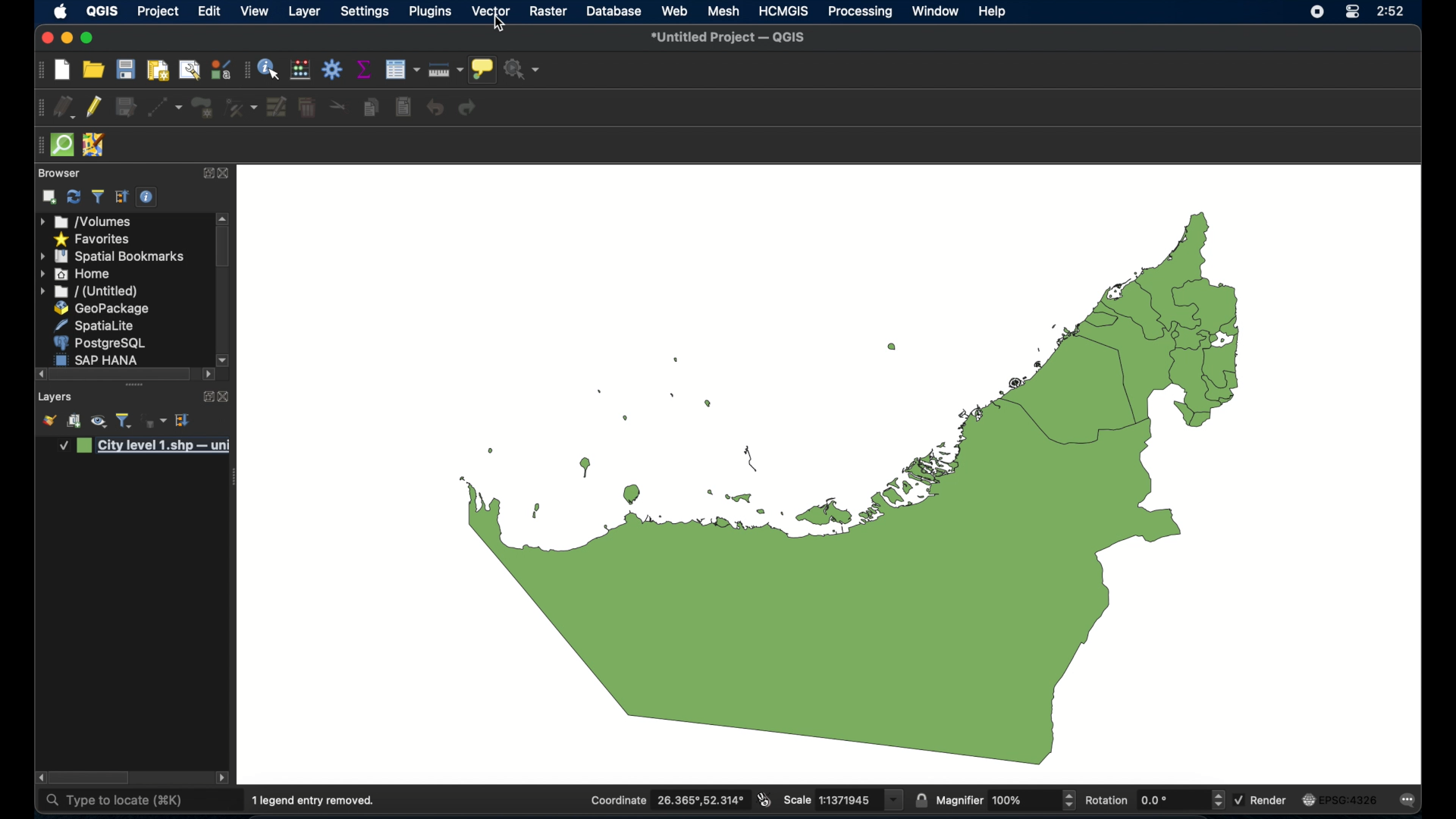 This screenshot has height=819, width=1456. What do you see at coordinates (305, 13) in the screenshot?
I see `layer` at bounding box center [305, 13].